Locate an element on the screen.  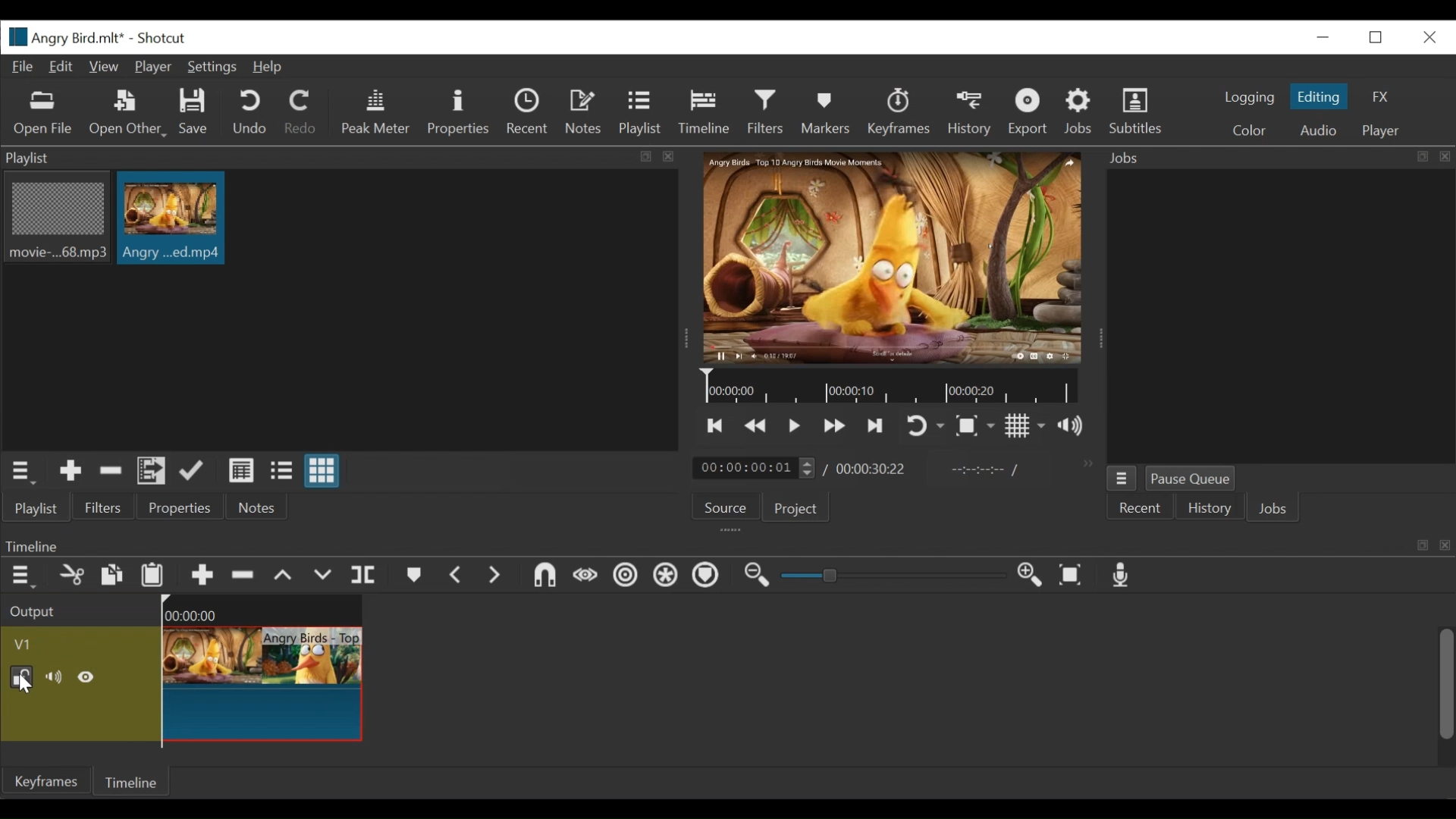
Redo is located at coordinates (301, 115).